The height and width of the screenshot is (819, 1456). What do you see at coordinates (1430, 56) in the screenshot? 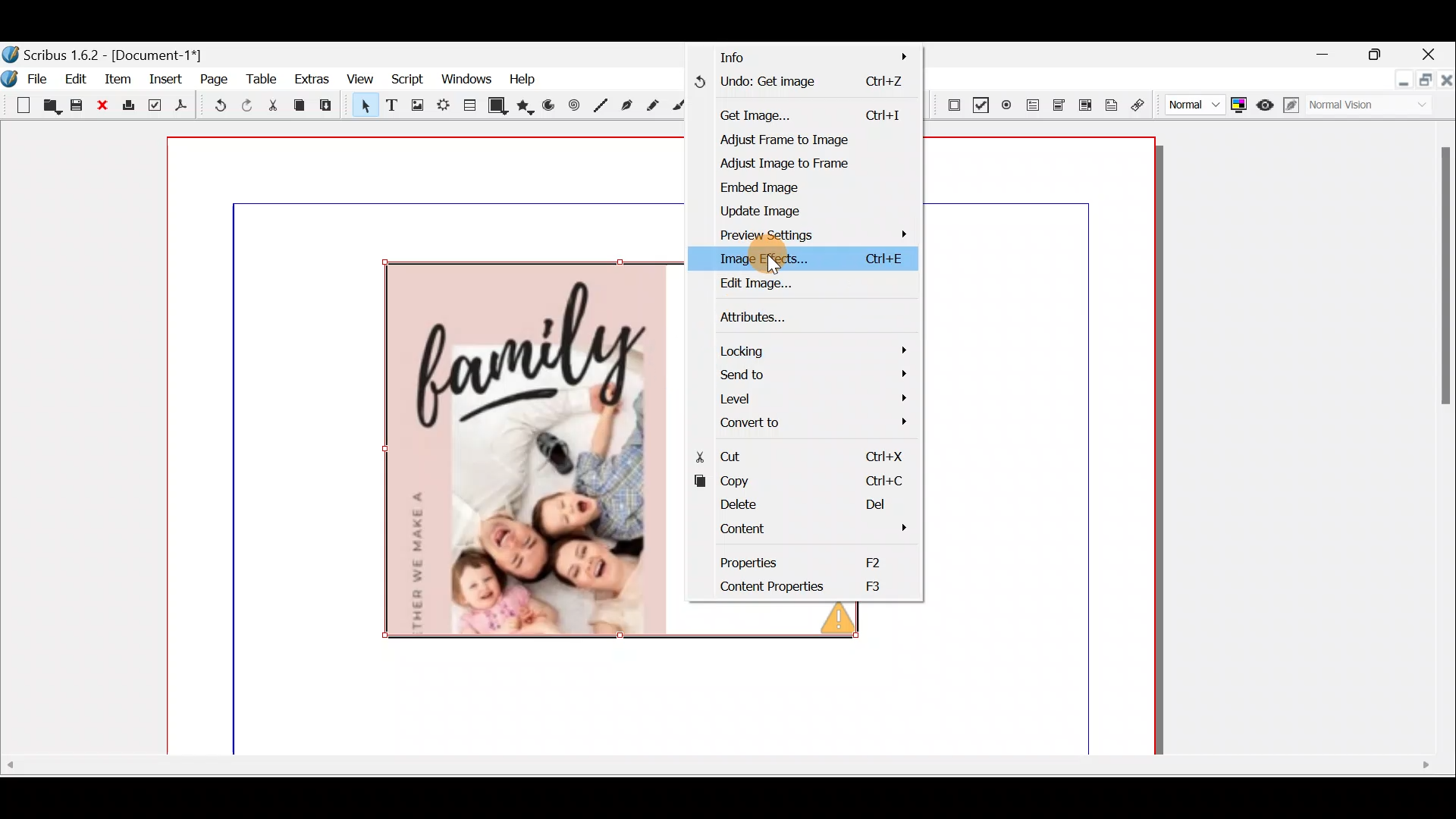
I see `Close` at bounding box center [1430, 56].